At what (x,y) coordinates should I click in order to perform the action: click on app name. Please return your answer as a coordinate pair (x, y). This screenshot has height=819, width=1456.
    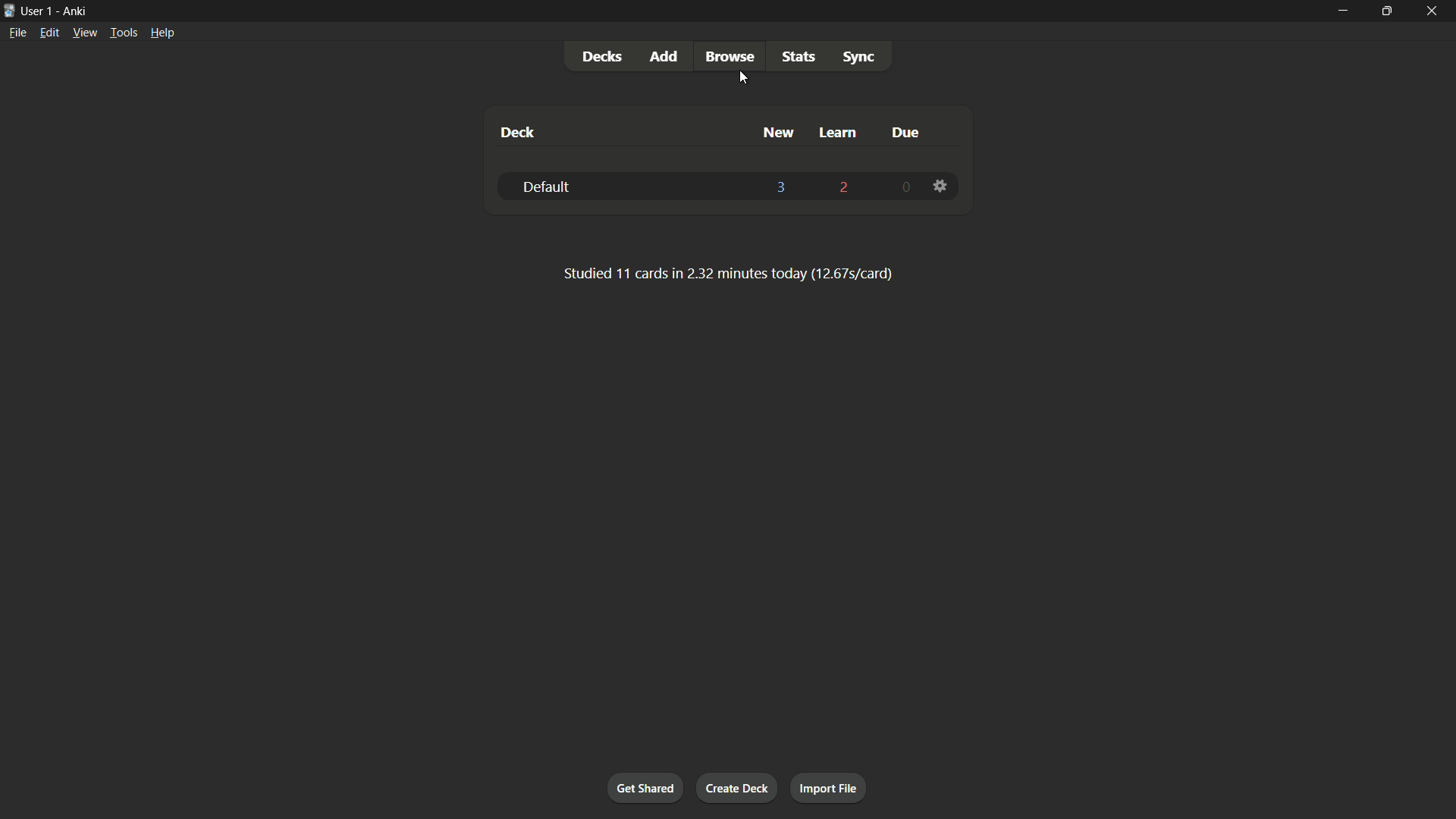
    Looking at the image, I should click on (78, 11).